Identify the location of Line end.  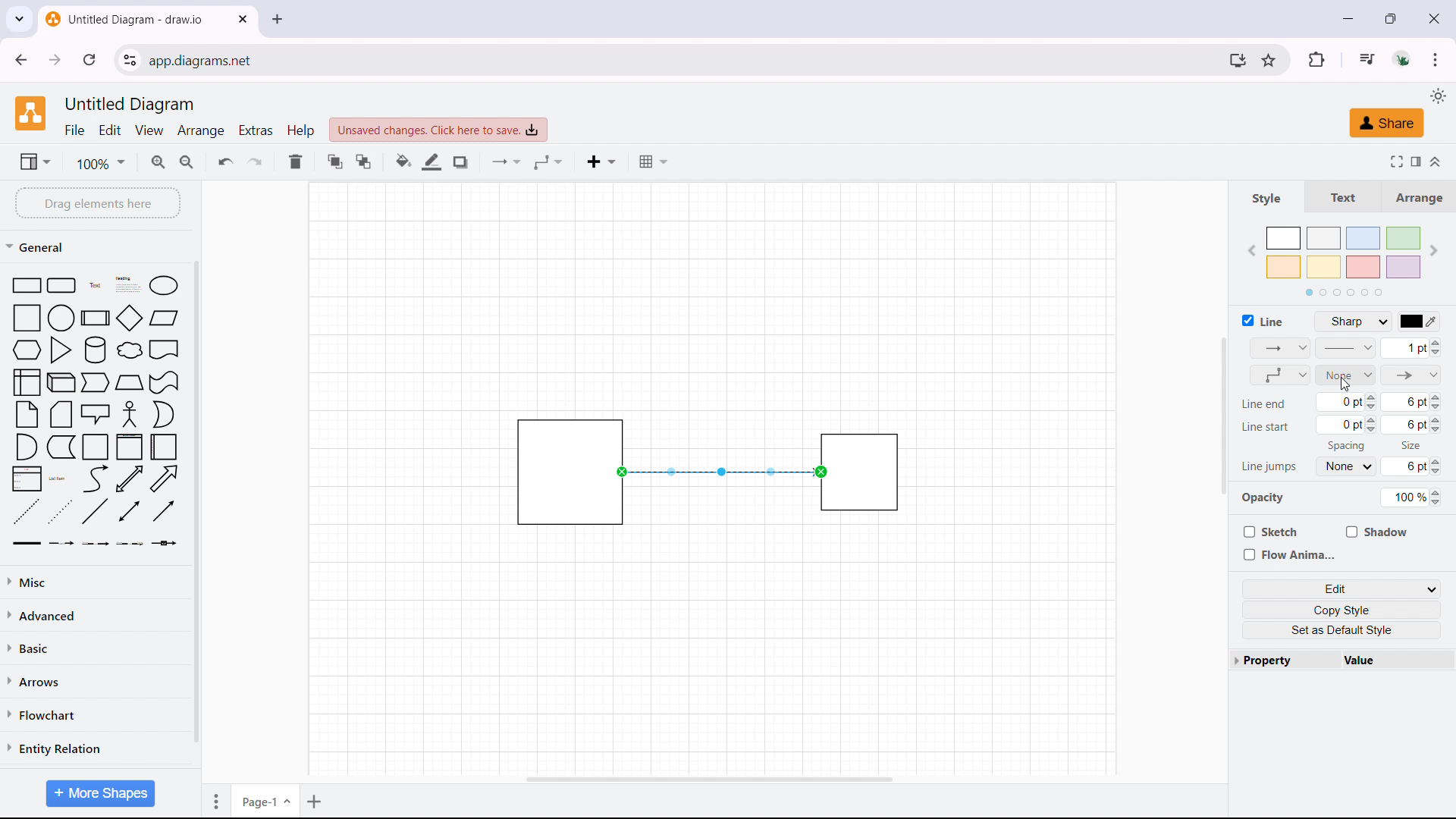
(1263, 404).